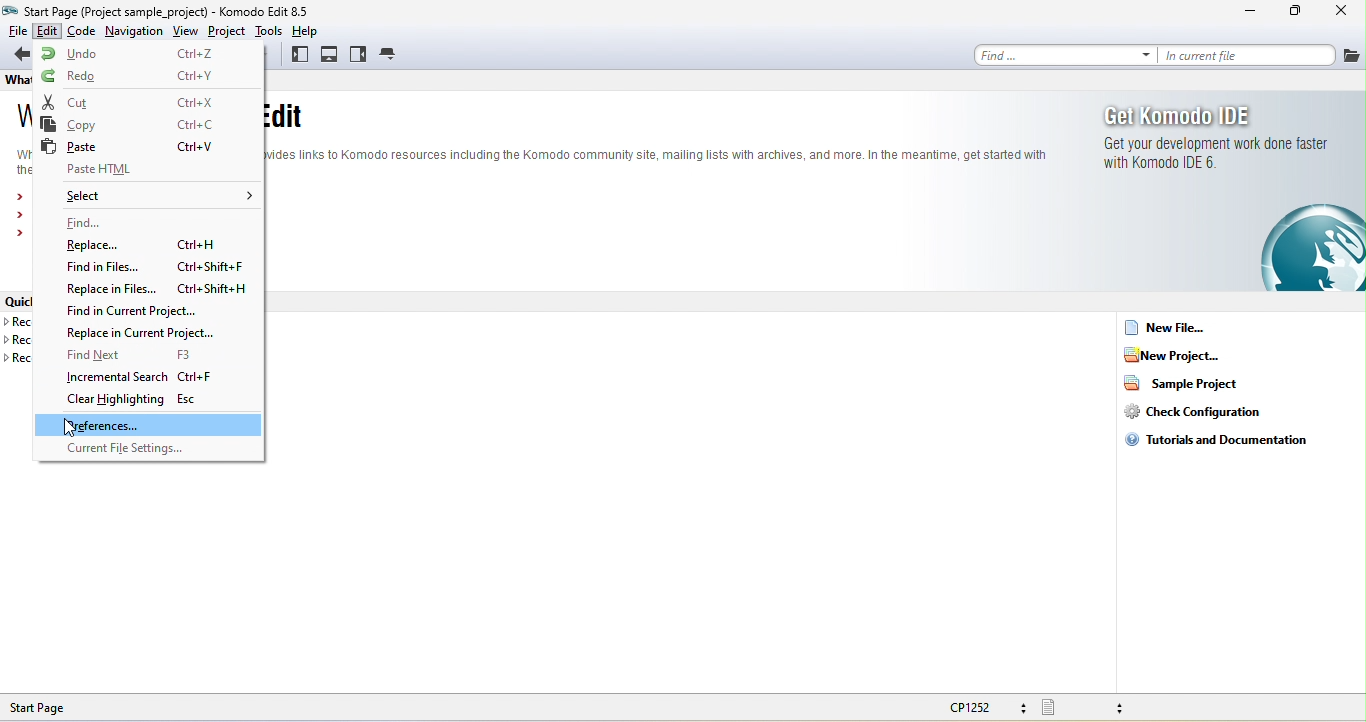  What do you see at coordinates (17, 321) in the screenshot?
I see `recent project` at bounding box center [17, 321].